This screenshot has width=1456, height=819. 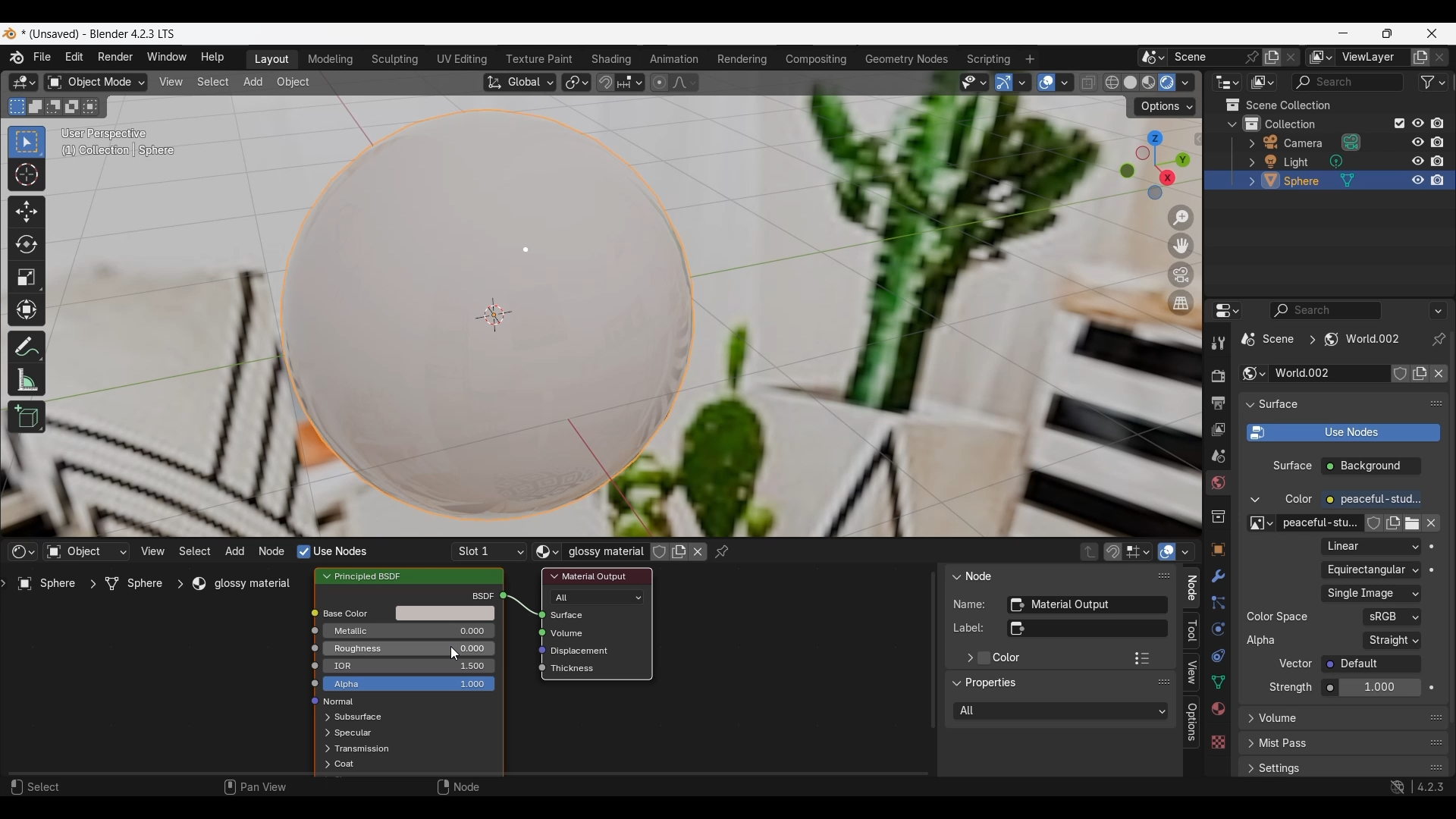 I want to click on Selectability and visibility options, so click(x=974, y=83).